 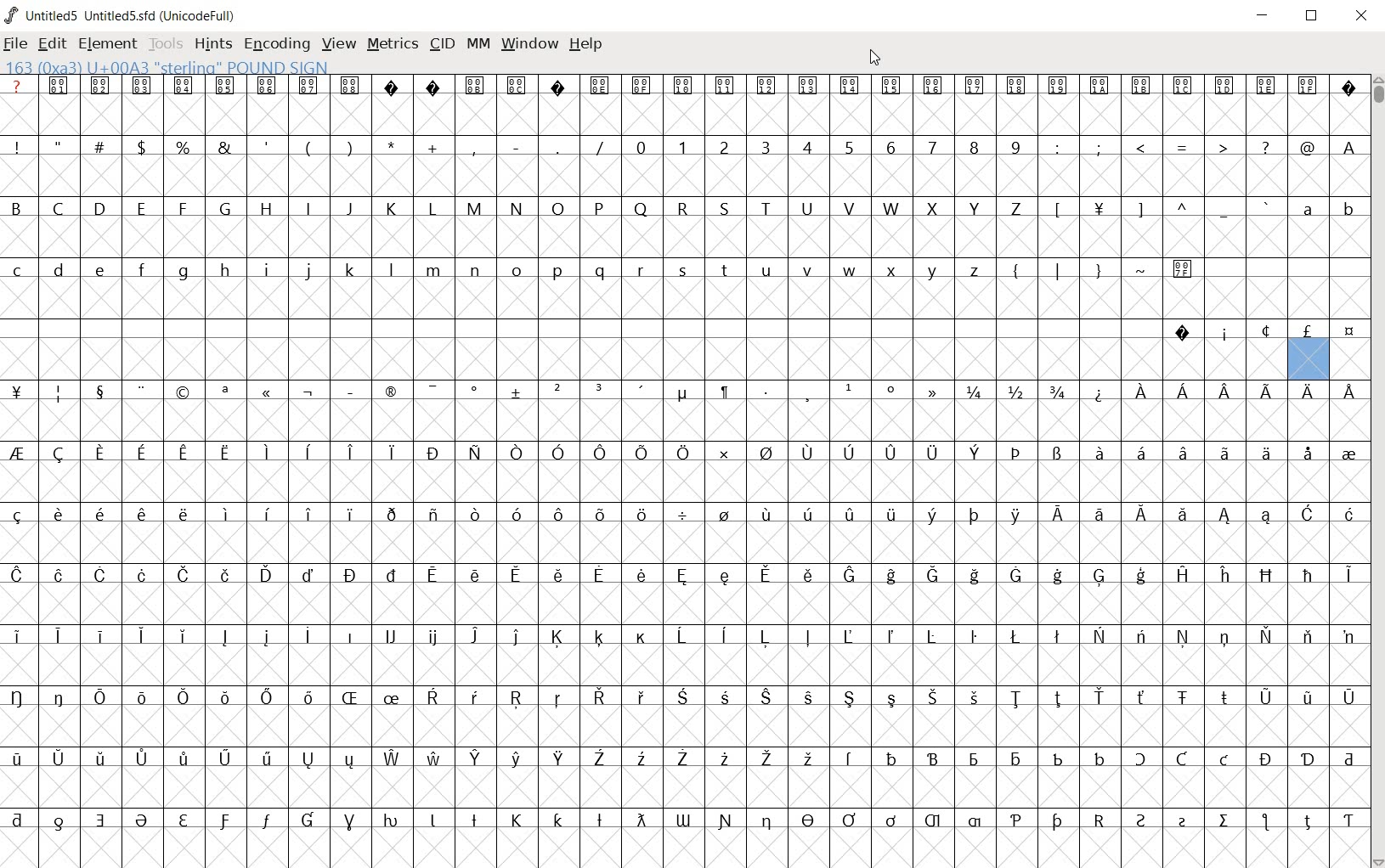 What do you see at coordinates (682, 516) in the screenshot?
I see `Symbol` at bounding box center [682, 516].